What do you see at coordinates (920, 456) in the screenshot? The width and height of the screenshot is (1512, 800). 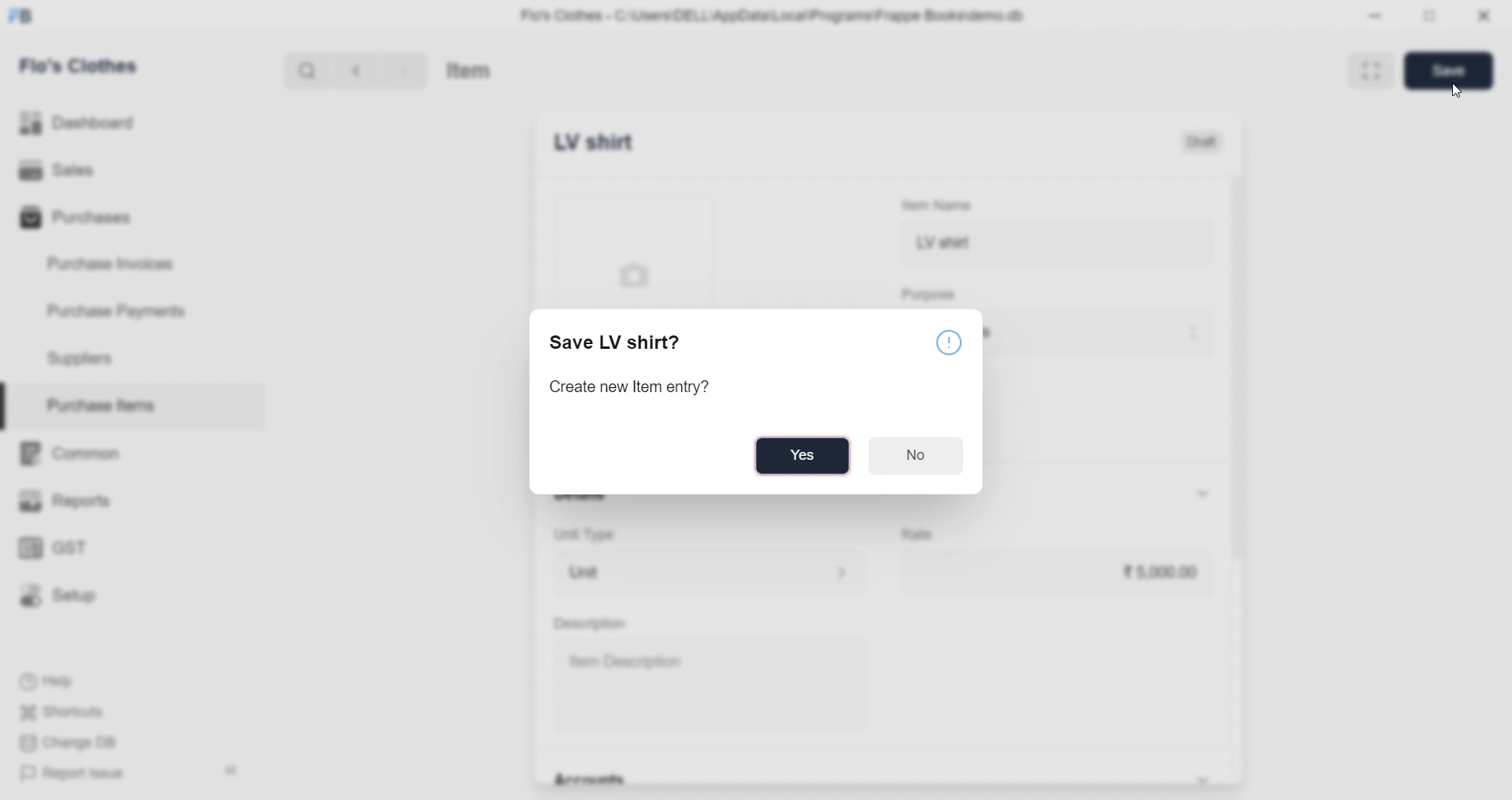 I see `No` at bounding box center [920, 456].